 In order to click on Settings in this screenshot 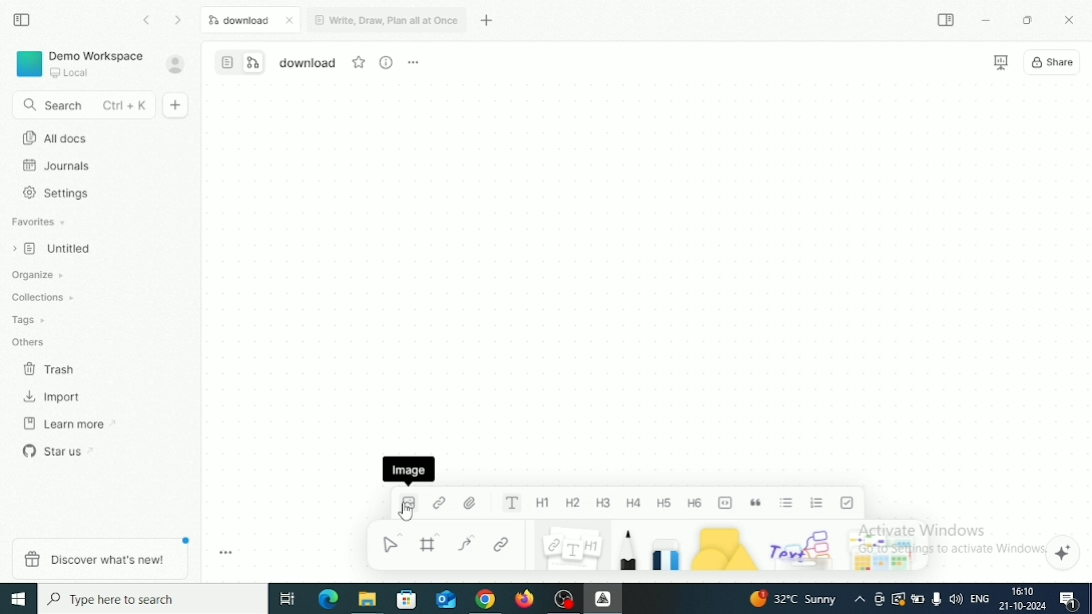, I will do `click(56, 195)`.